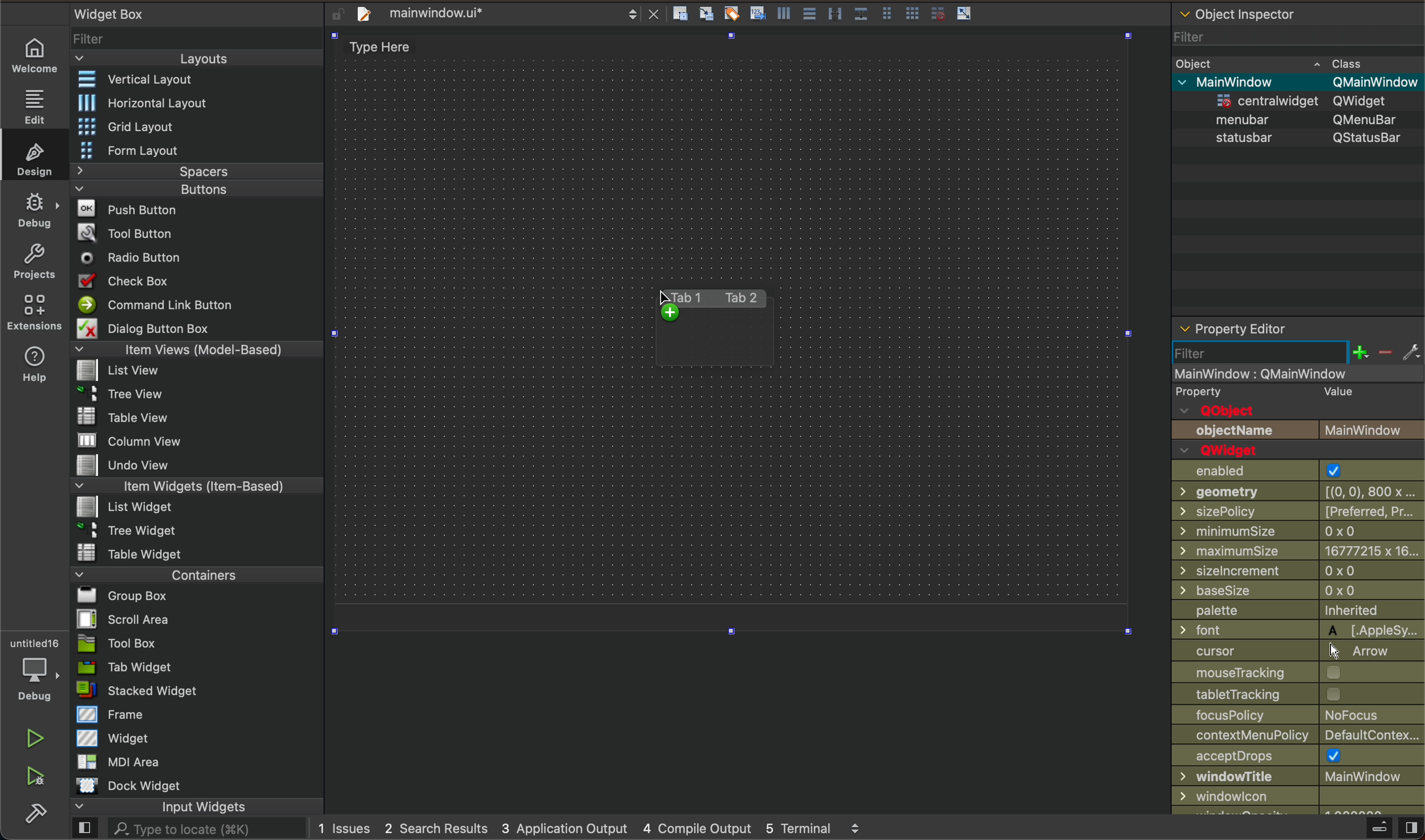 This screenshot has height=840, width=1425. Describe the element at coordinates (872, 12) in the screenshot. I see `layout actions` at that location.